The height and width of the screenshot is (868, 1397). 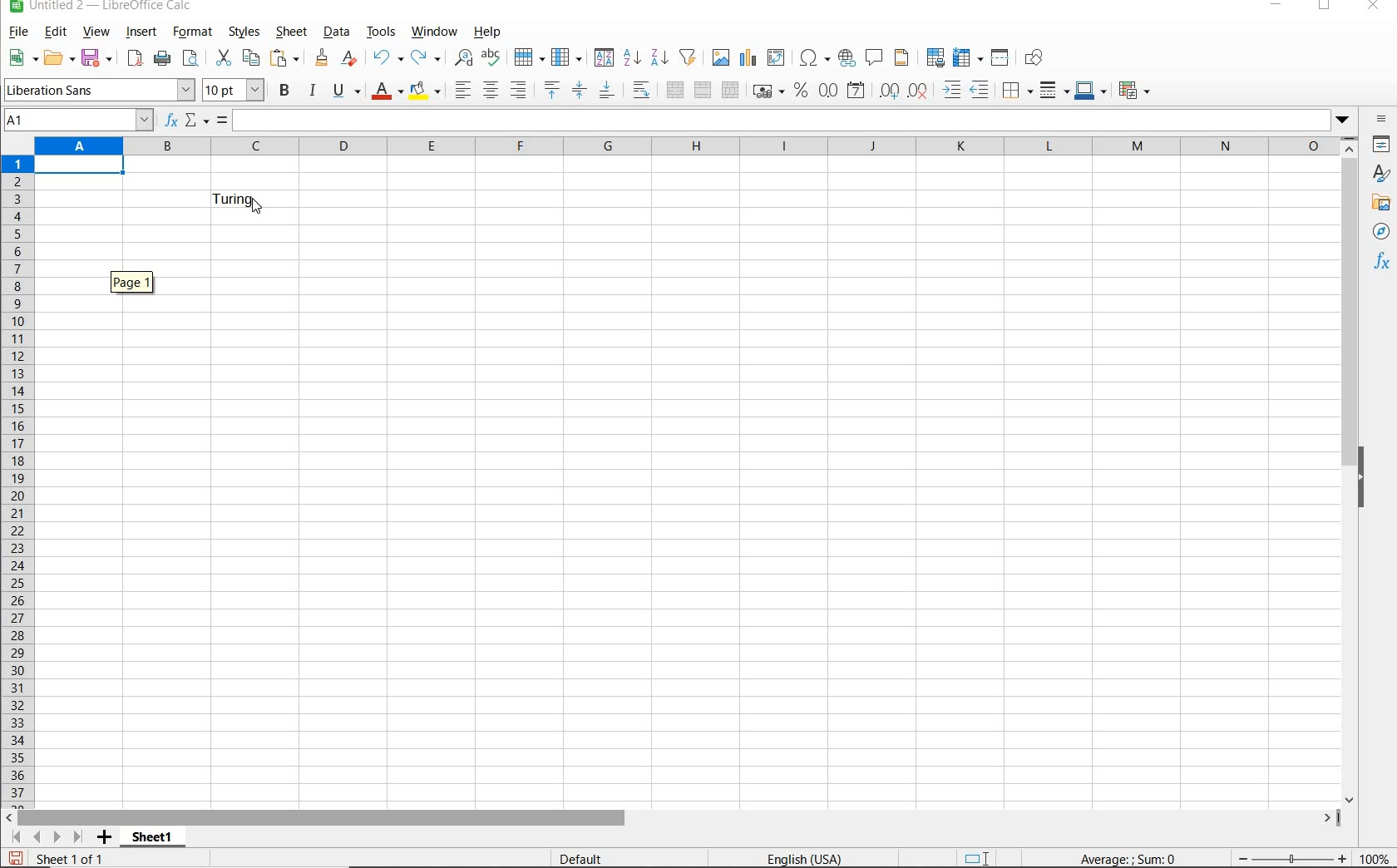 What do you see at coordinates (1347, 472) in the screenshot?
I see `SCROLLBAR` at bounding box center [1347, 472].